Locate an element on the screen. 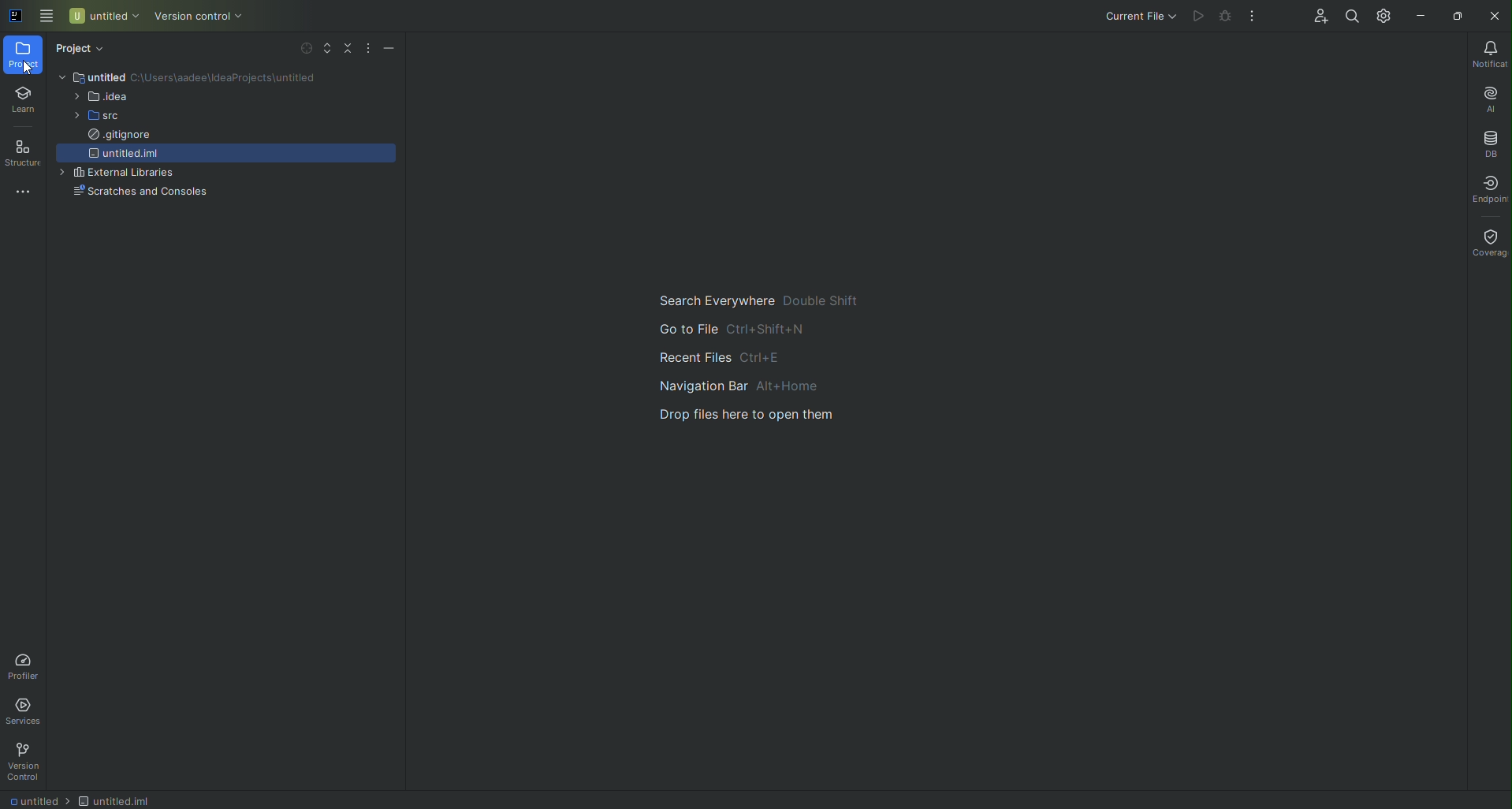  Endpoints is located at coordinates (1486, 186).